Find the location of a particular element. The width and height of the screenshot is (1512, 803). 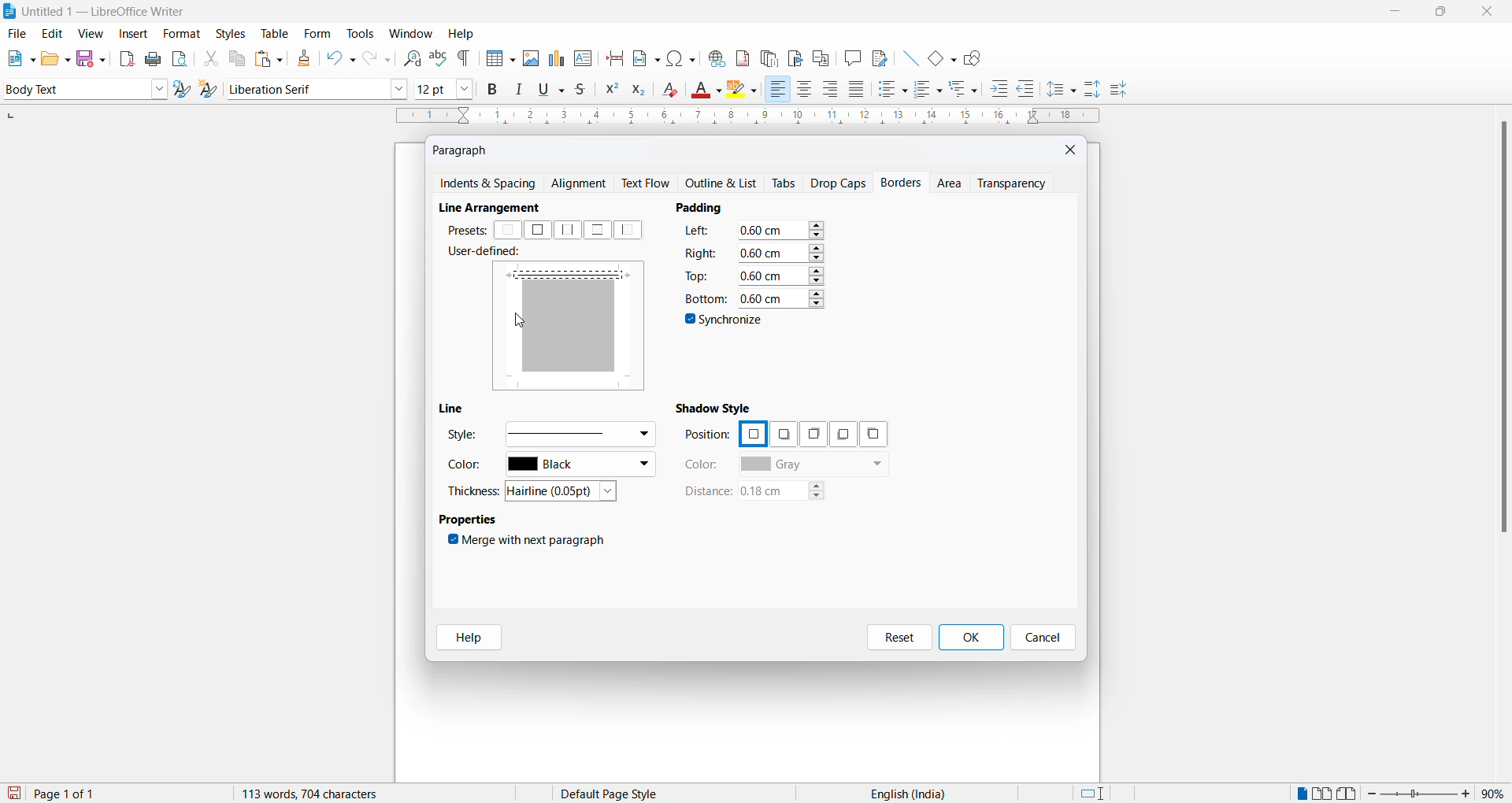

shadow style is located at coordinates (717, 407).